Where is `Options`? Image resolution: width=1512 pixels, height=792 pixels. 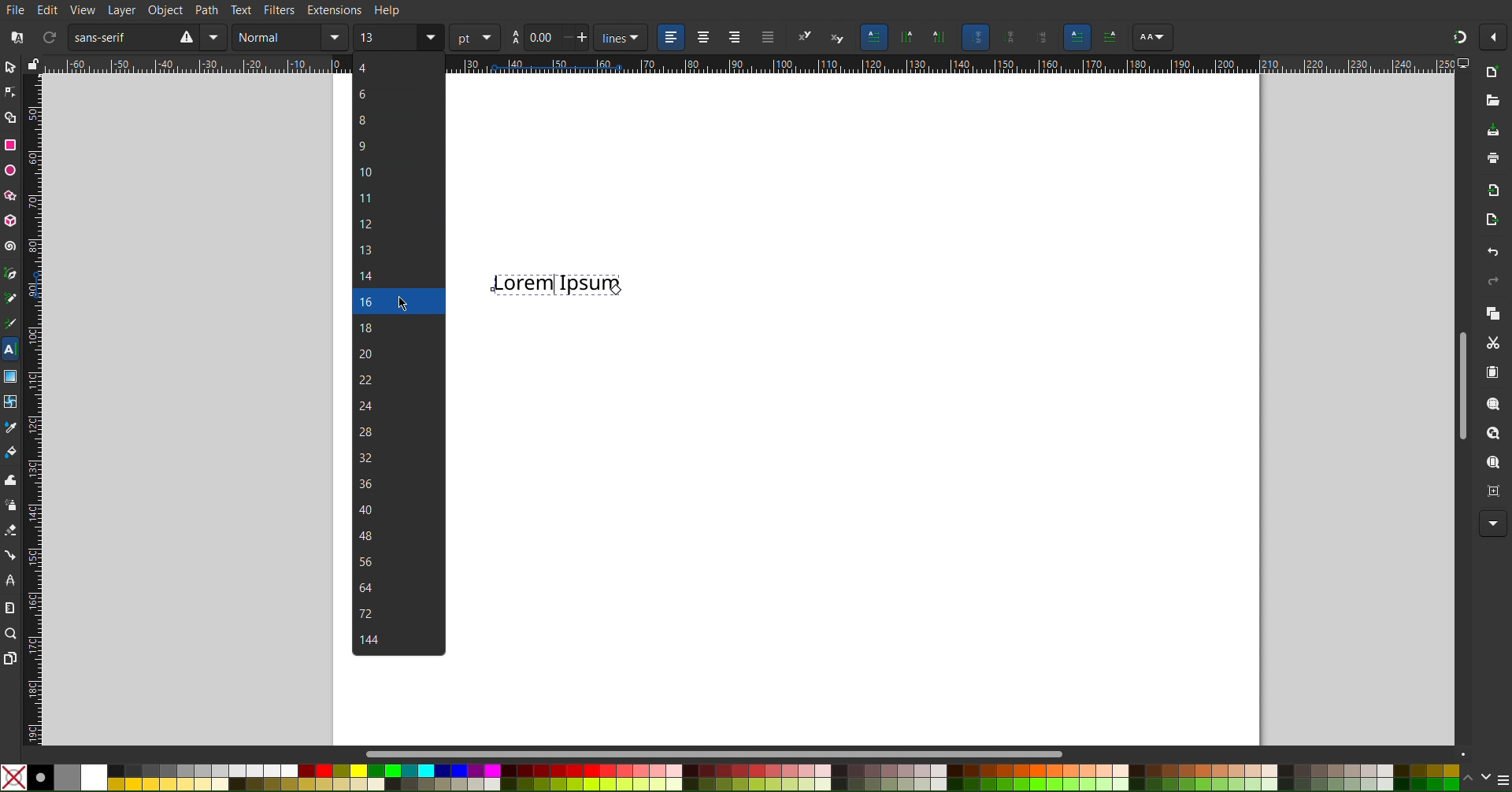
Options is located at coordinates (1495, 37).